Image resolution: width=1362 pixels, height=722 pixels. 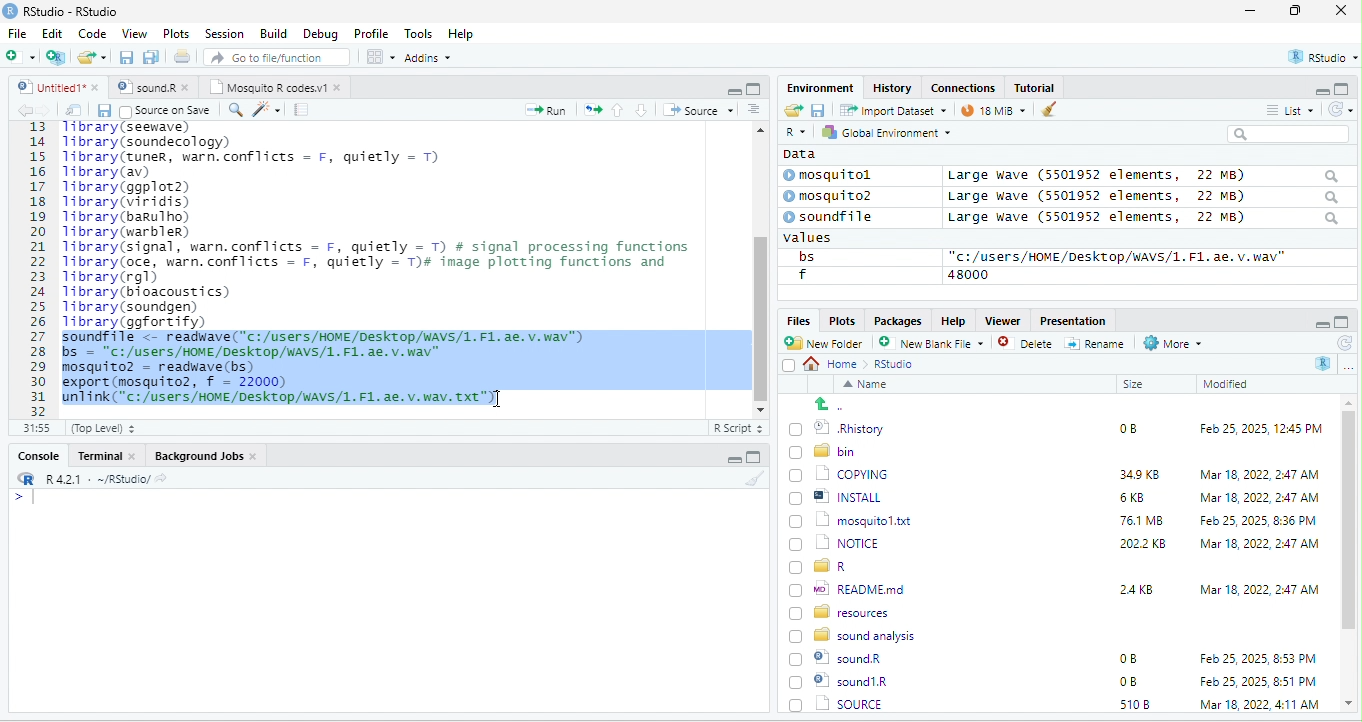 What do you see at coordinates (394, 262) in the screenshot?
I see `fipt 2 (0) ©] Rhistory 0B Feb 25, 2025, 12:45 PM
oO bin
0) 1) copying 349K8 Mar 18,2022, 247 AM
(J ®] INSTALL 6KB Mar 18, 2022, 247 AM
(0 1) mosauitoxt T6IMB Feb 25,2025 8:36 PM
0 [3 norce 2002K8 Mar 18, 2022, 247 AM
0 @r
(7) %) READMEmd 248 Mar 18, 2022, 247 AM
(0) resources
[5 sound analysis
(0) ©) soundiR LO Feb 25, 2025, 851 PM
0 1 source s108 Mar 18, 2022, 41 AM
(71 Uninstallexe 1302KB  Apr26,2022 1.00PM ¥` at bounding box center [394, 262].